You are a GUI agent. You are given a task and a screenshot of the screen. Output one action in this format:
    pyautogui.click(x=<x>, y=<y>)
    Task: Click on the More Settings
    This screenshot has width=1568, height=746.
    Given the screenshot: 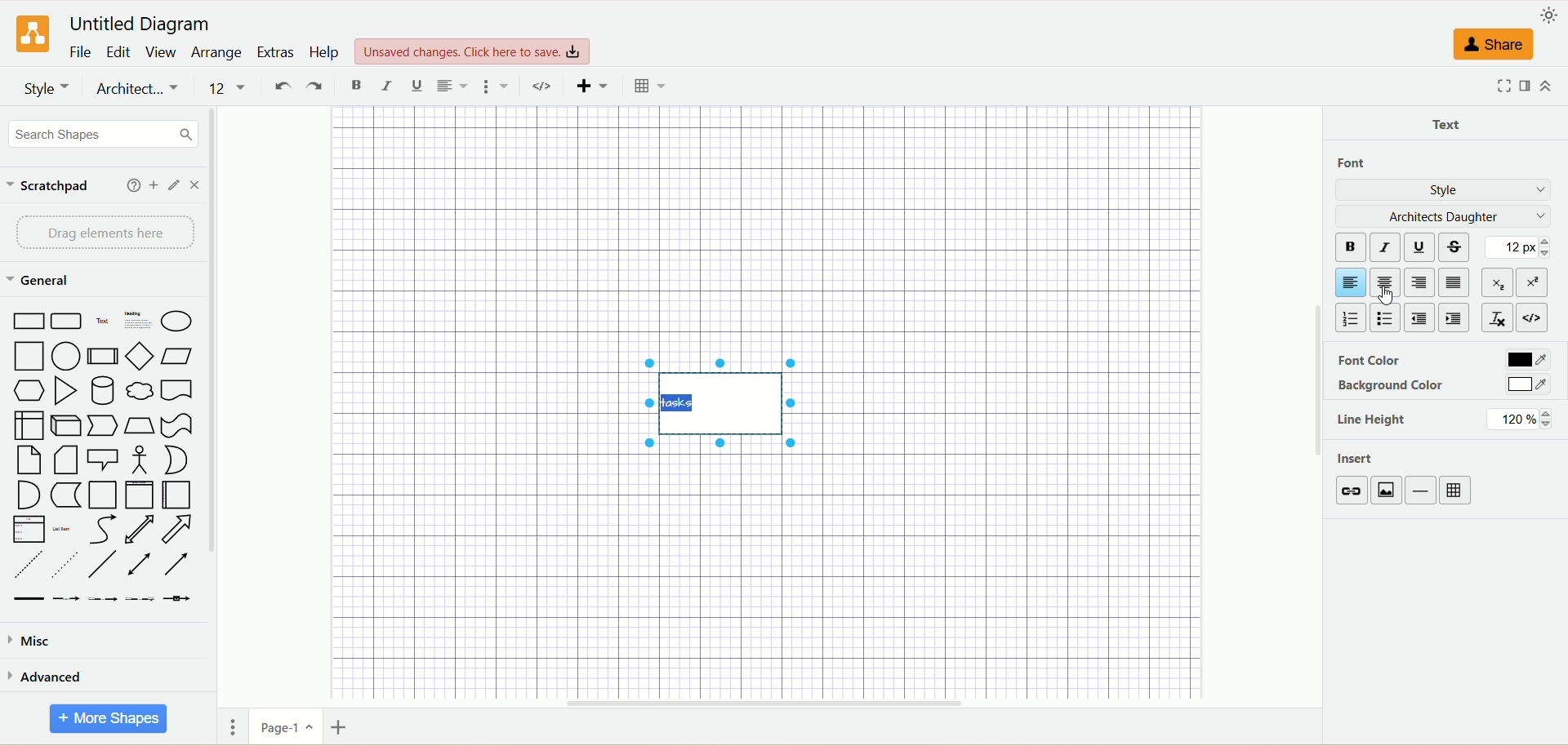 What is the action you would take?
    pyautogui.click(x=497, y=87)
    